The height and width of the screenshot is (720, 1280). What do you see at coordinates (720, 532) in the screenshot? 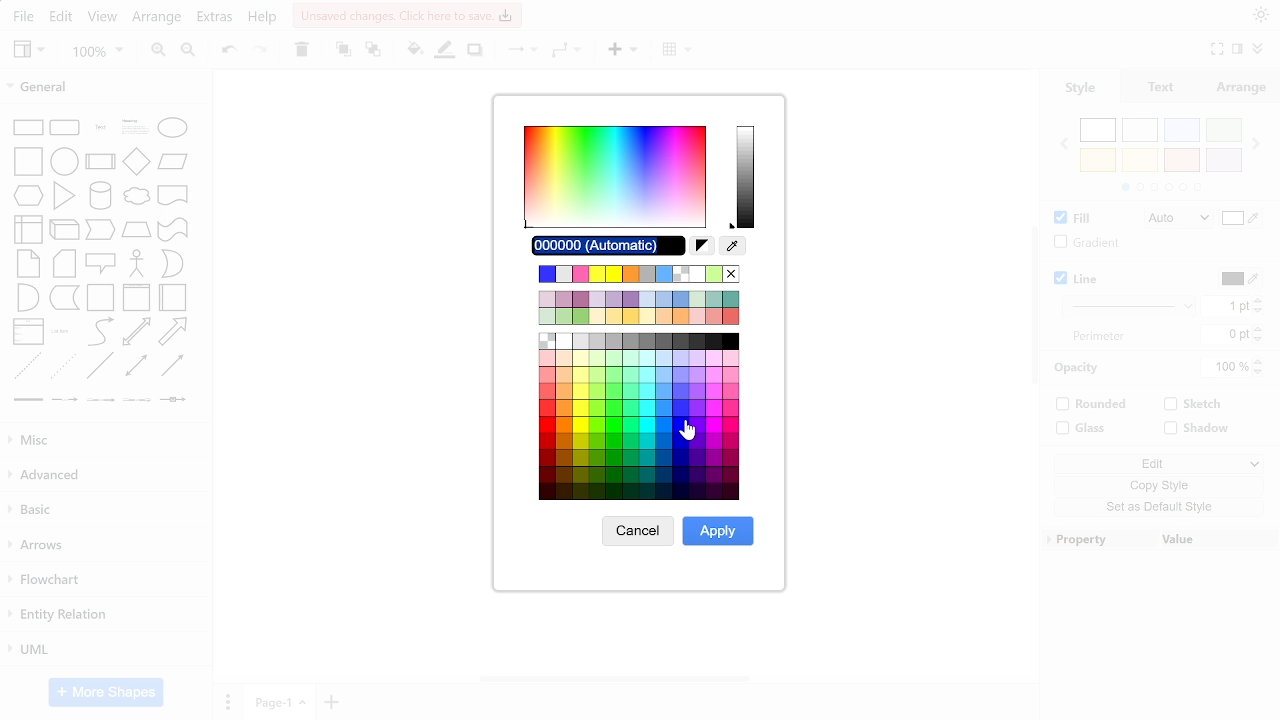
I see `apply` at bounding box center [720, 532].